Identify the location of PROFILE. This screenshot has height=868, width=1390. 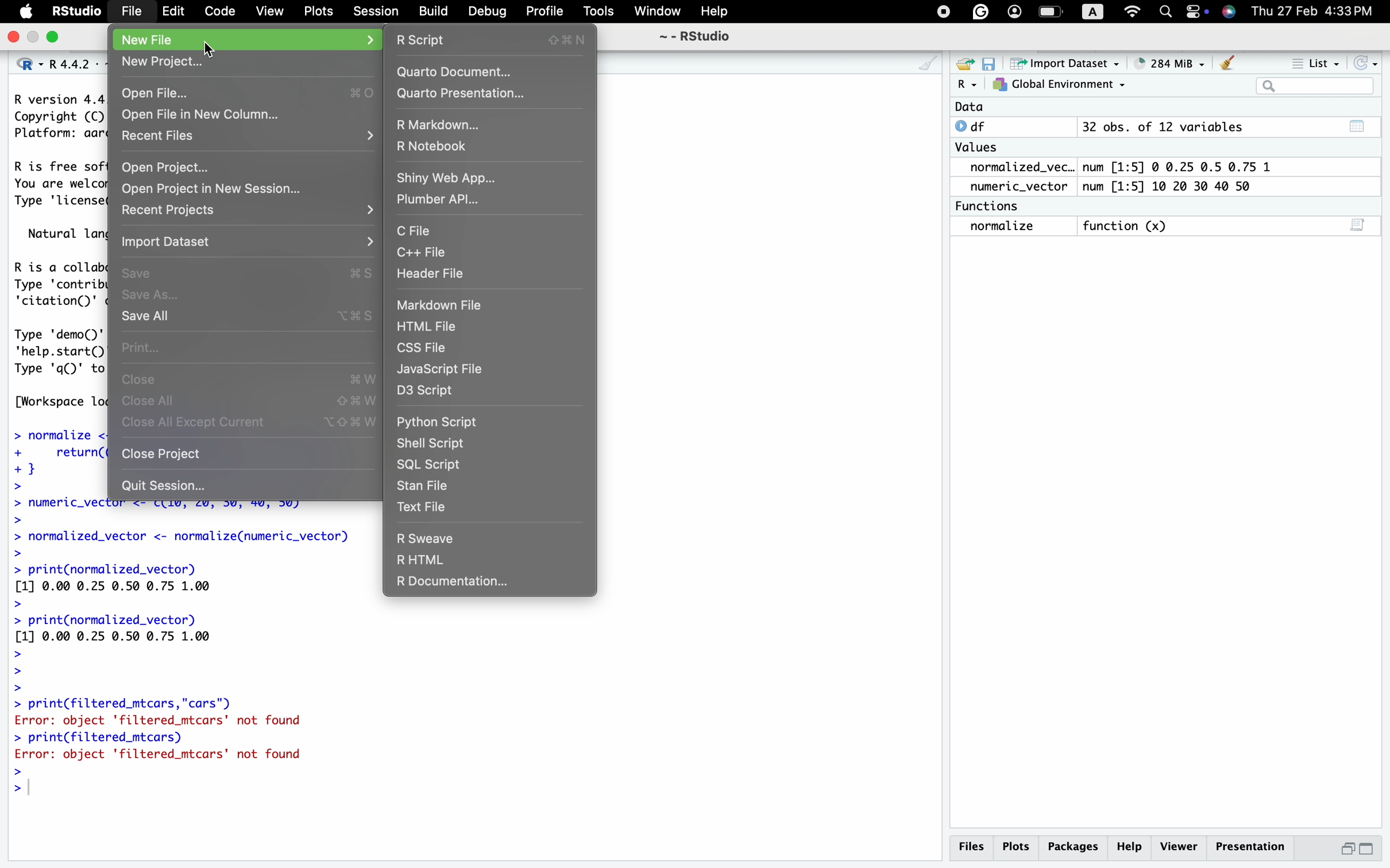
(1012, 10).